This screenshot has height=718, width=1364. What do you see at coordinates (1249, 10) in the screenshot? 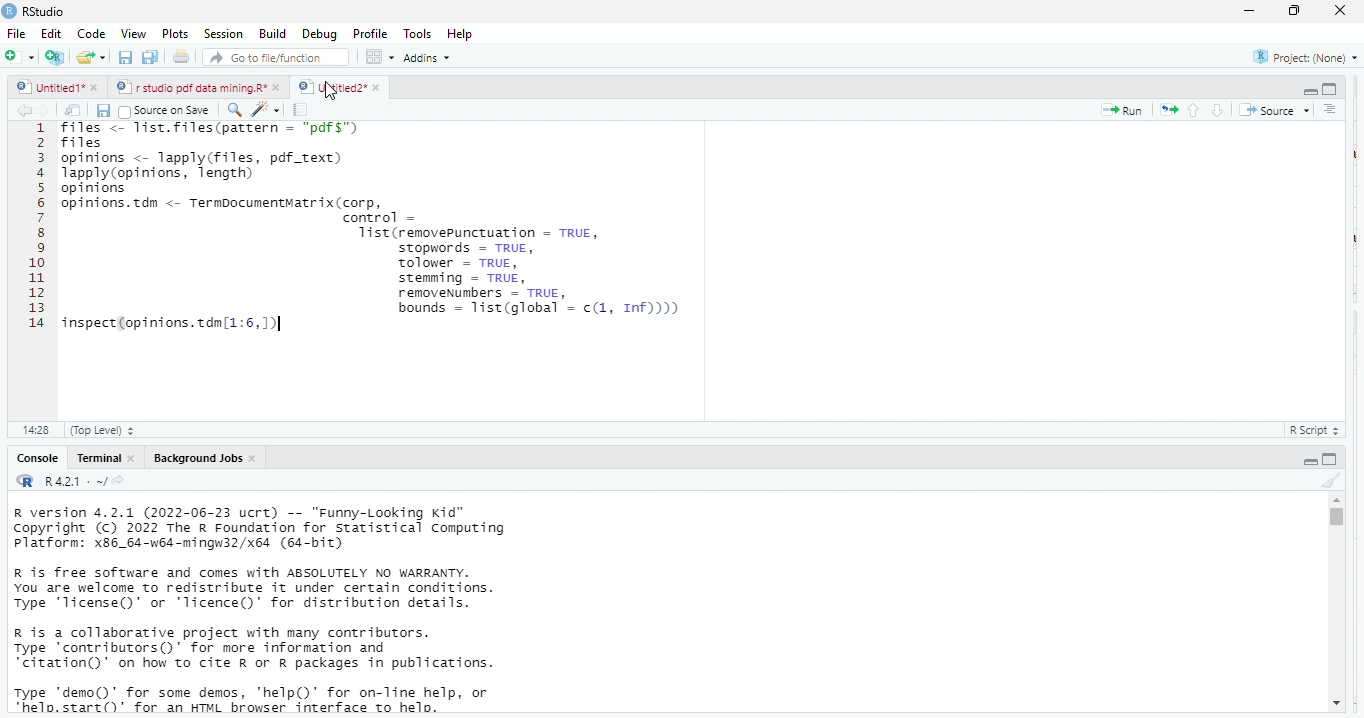
I see `minimize` at bounding box center [1249, 10].